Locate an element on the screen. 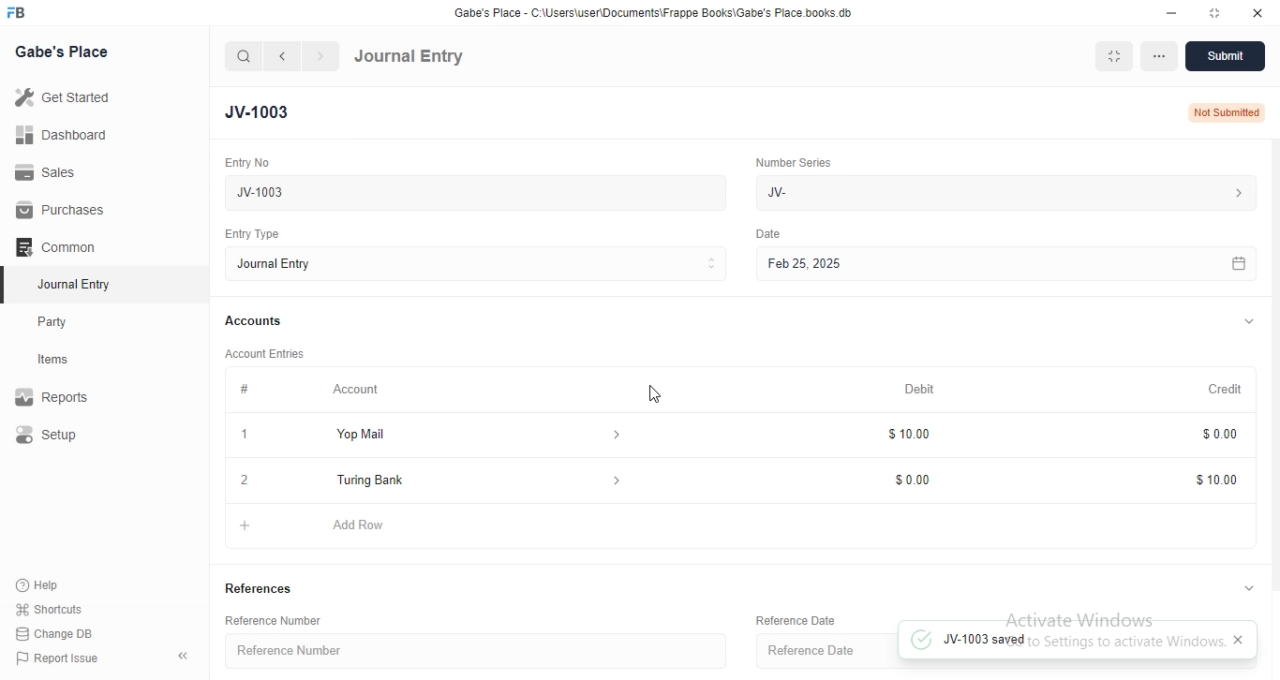  ‘Gabe's Place - C\Users\useriDocuments\Frappe Books\Gabe's Place books. db is located at coordinates (650, 10).